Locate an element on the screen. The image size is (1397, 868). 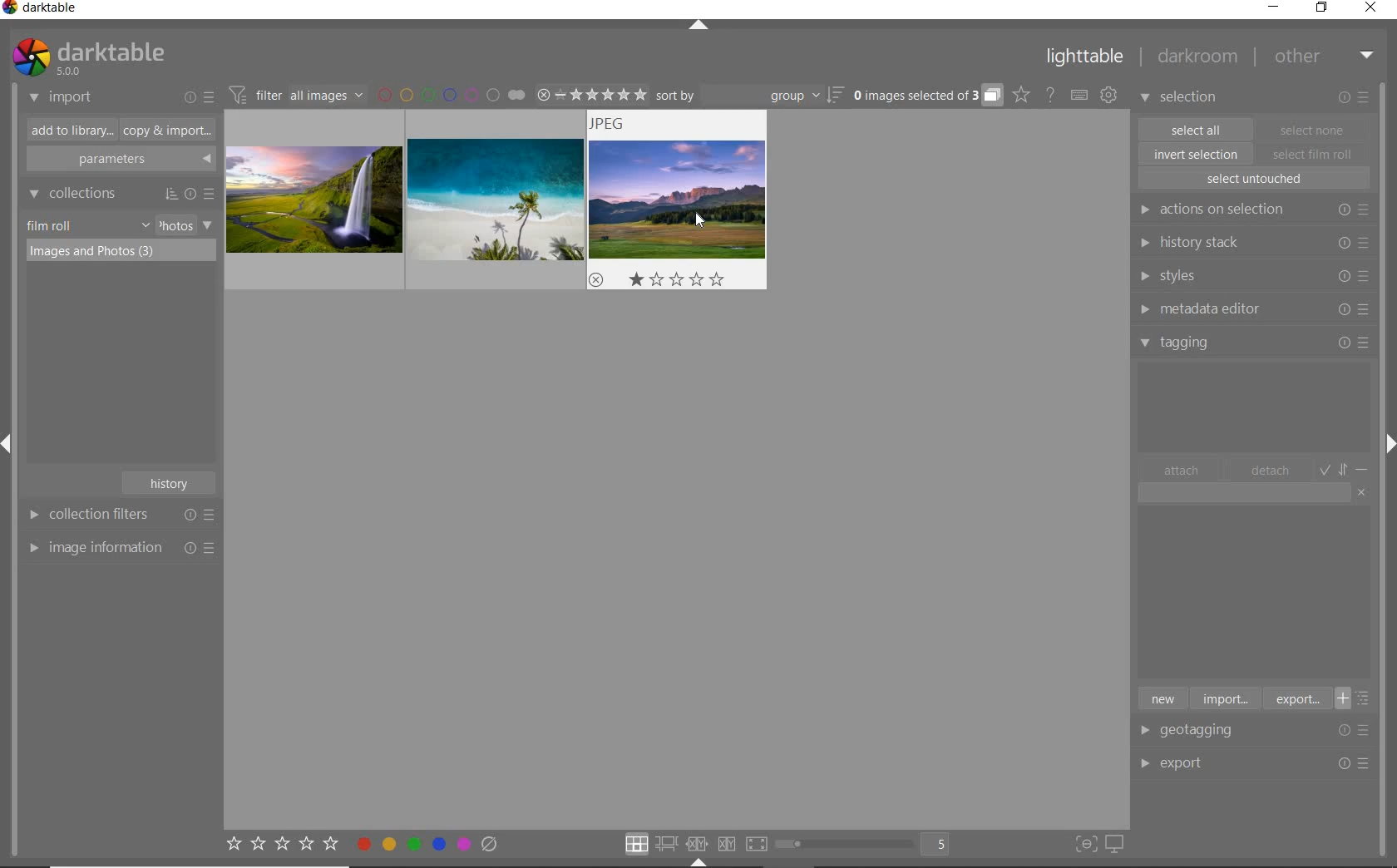
sort is located at coordinates (750, 96).